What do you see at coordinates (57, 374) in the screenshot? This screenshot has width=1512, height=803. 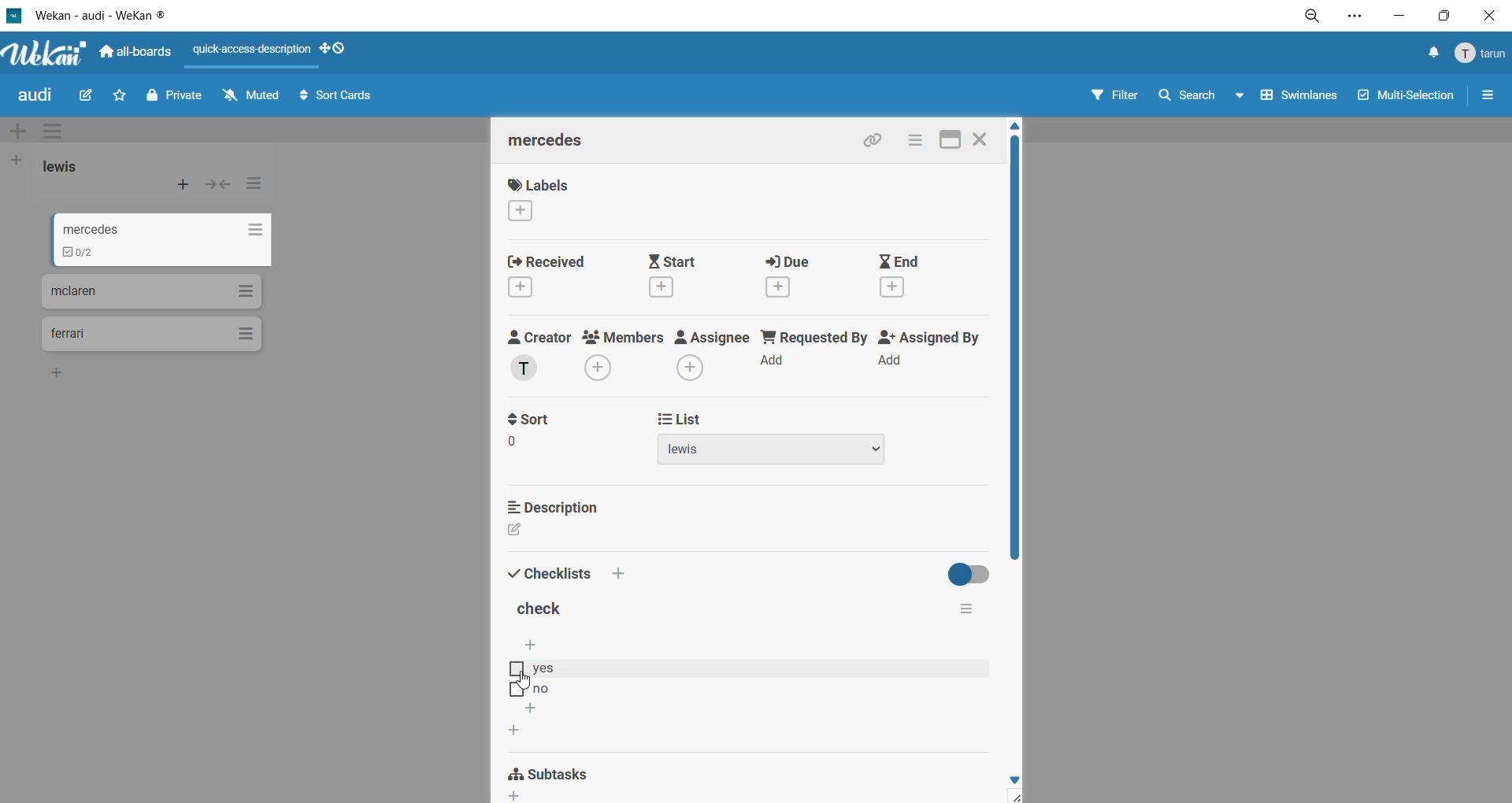 I see `add` at bounding box center [57, 374].